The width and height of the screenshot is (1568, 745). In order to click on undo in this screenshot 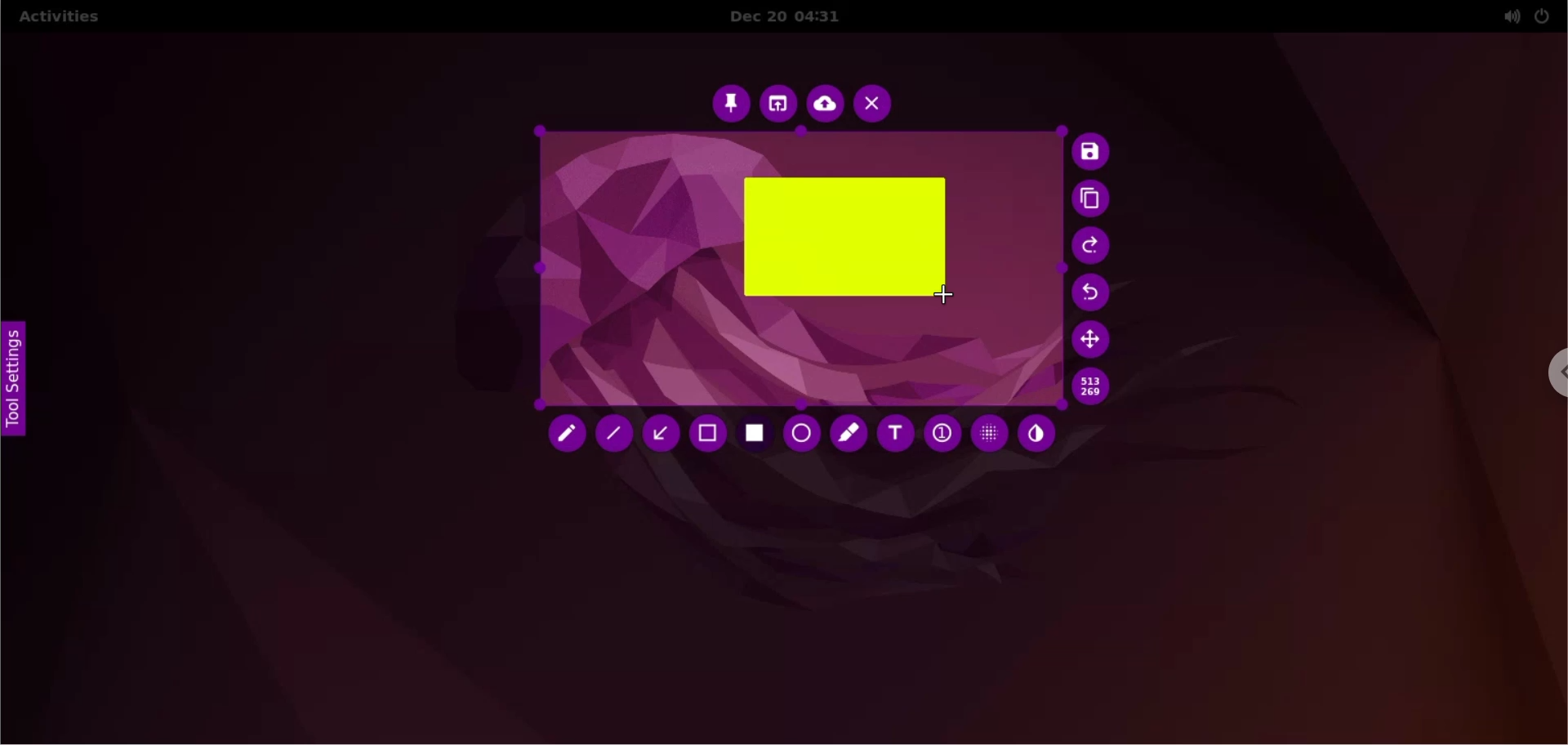, I will do `click(1092, 292)`.